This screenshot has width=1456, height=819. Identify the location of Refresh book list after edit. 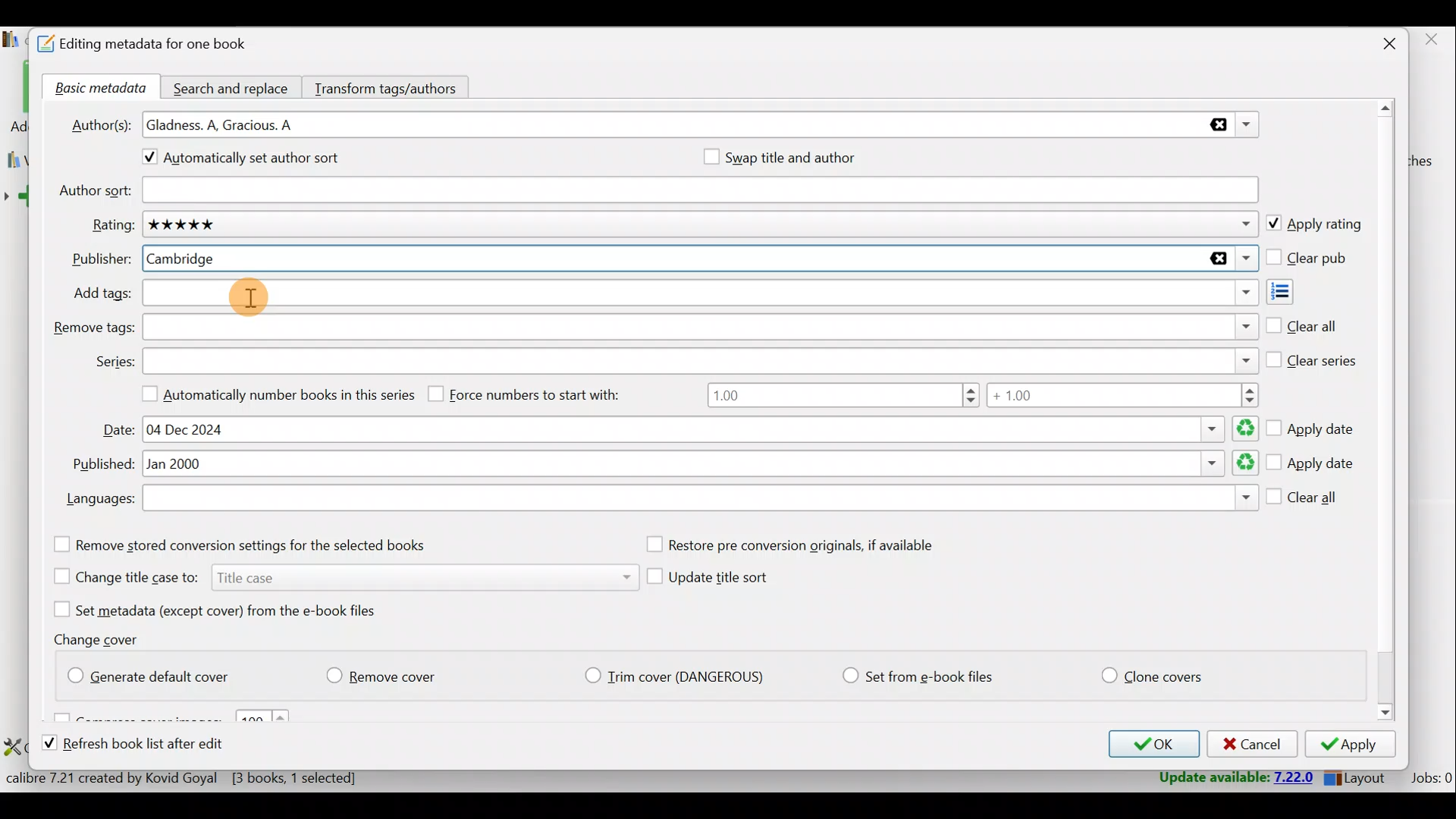
(147, 745).